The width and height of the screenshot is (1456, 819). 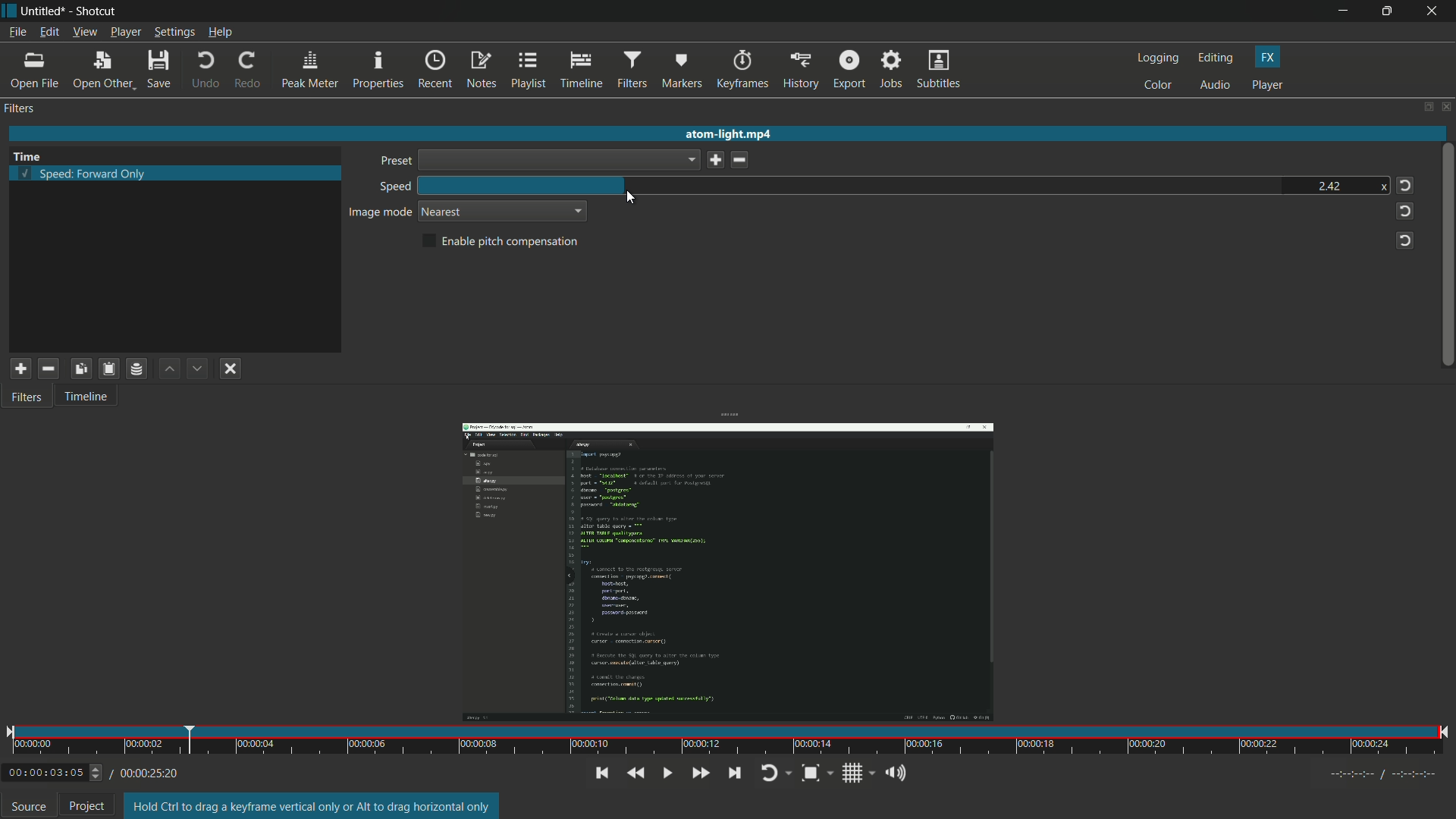 I want to click on editing, so click(x=1216, y=58).